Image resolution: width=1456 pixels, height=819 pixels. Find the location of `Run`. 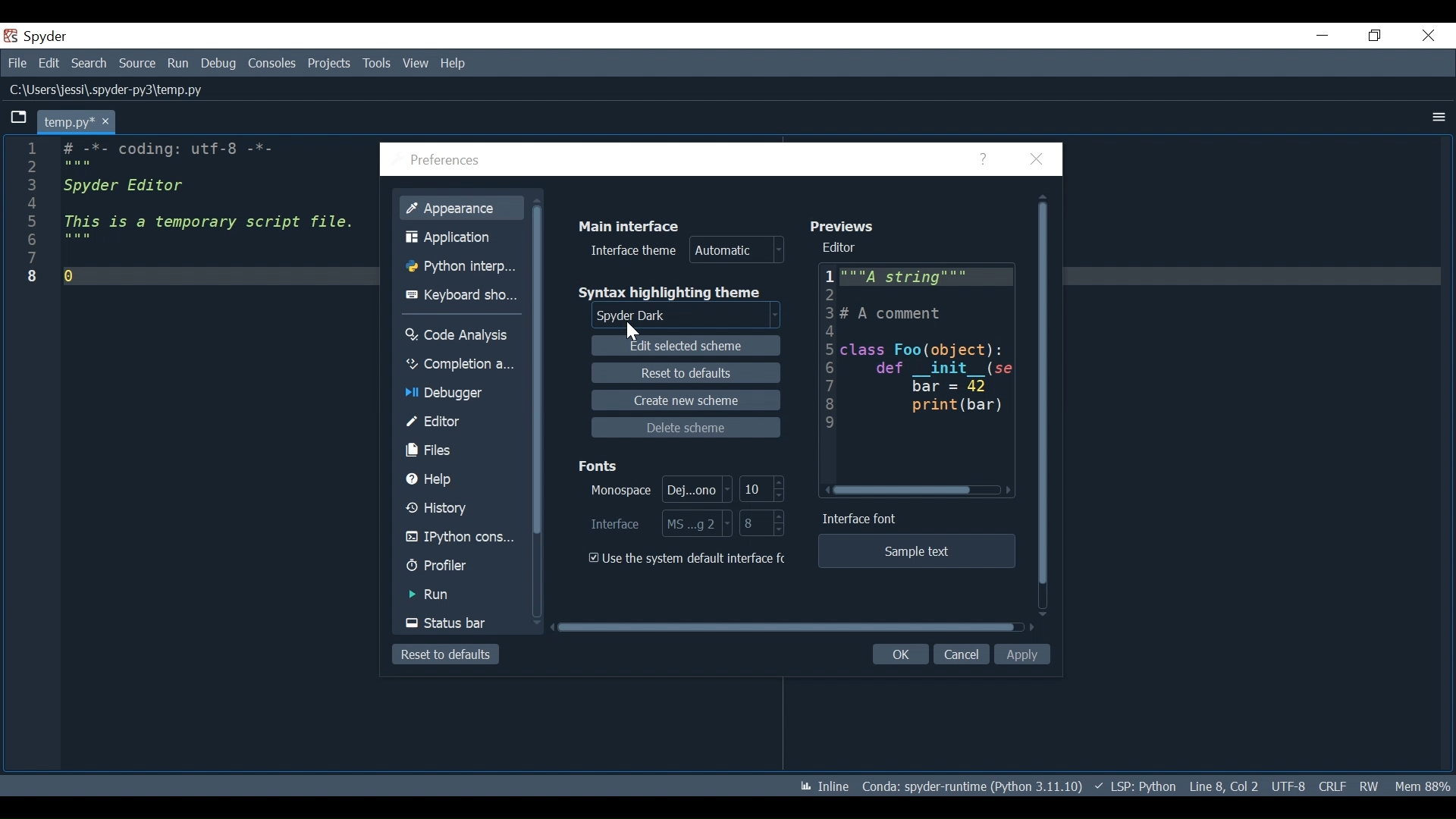

Run is located at coordinates (463, 595).